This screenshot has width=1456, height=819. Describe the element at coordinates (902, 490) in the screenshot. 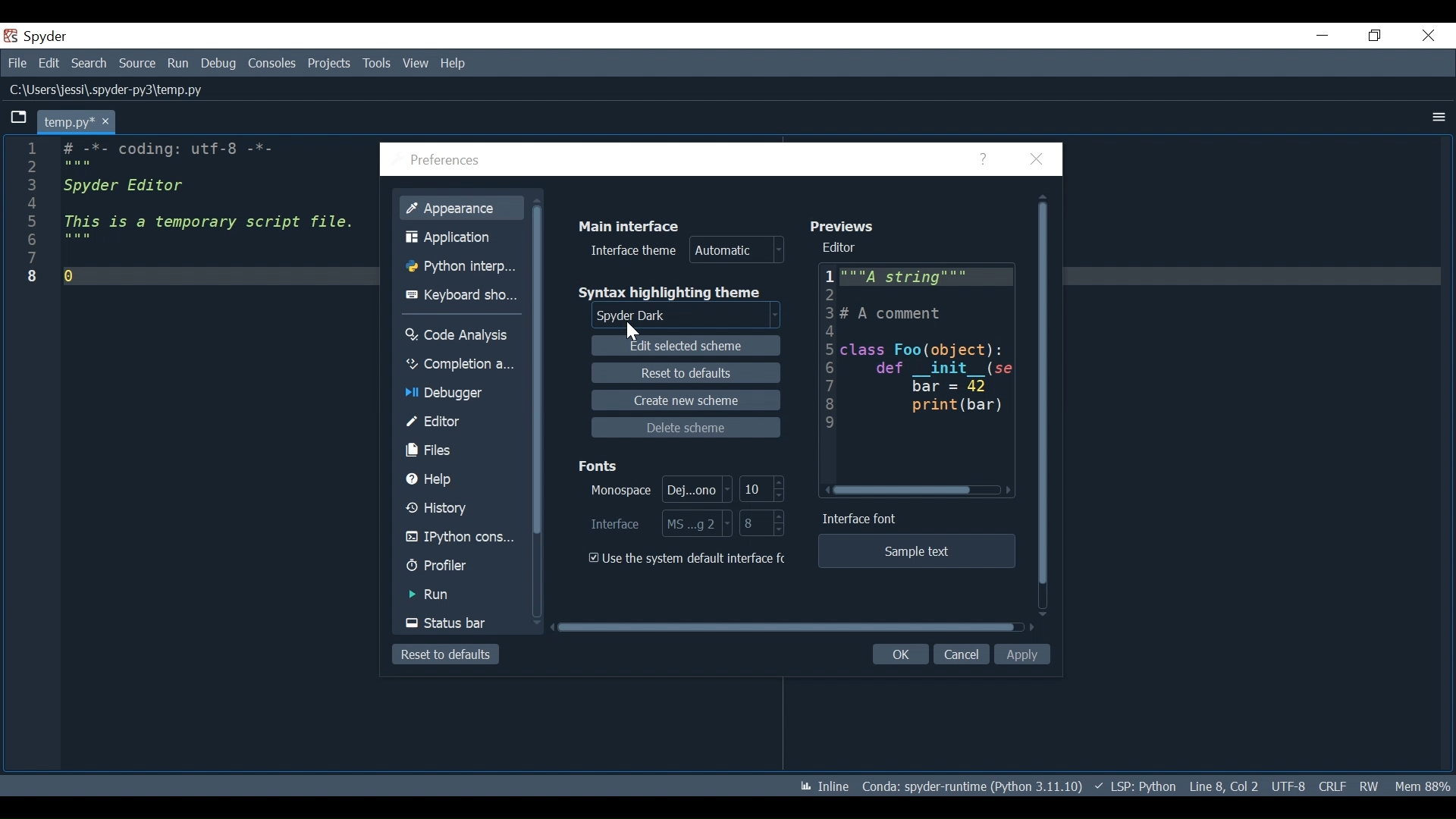

I see `Horizontal Scroll bar` at that location.